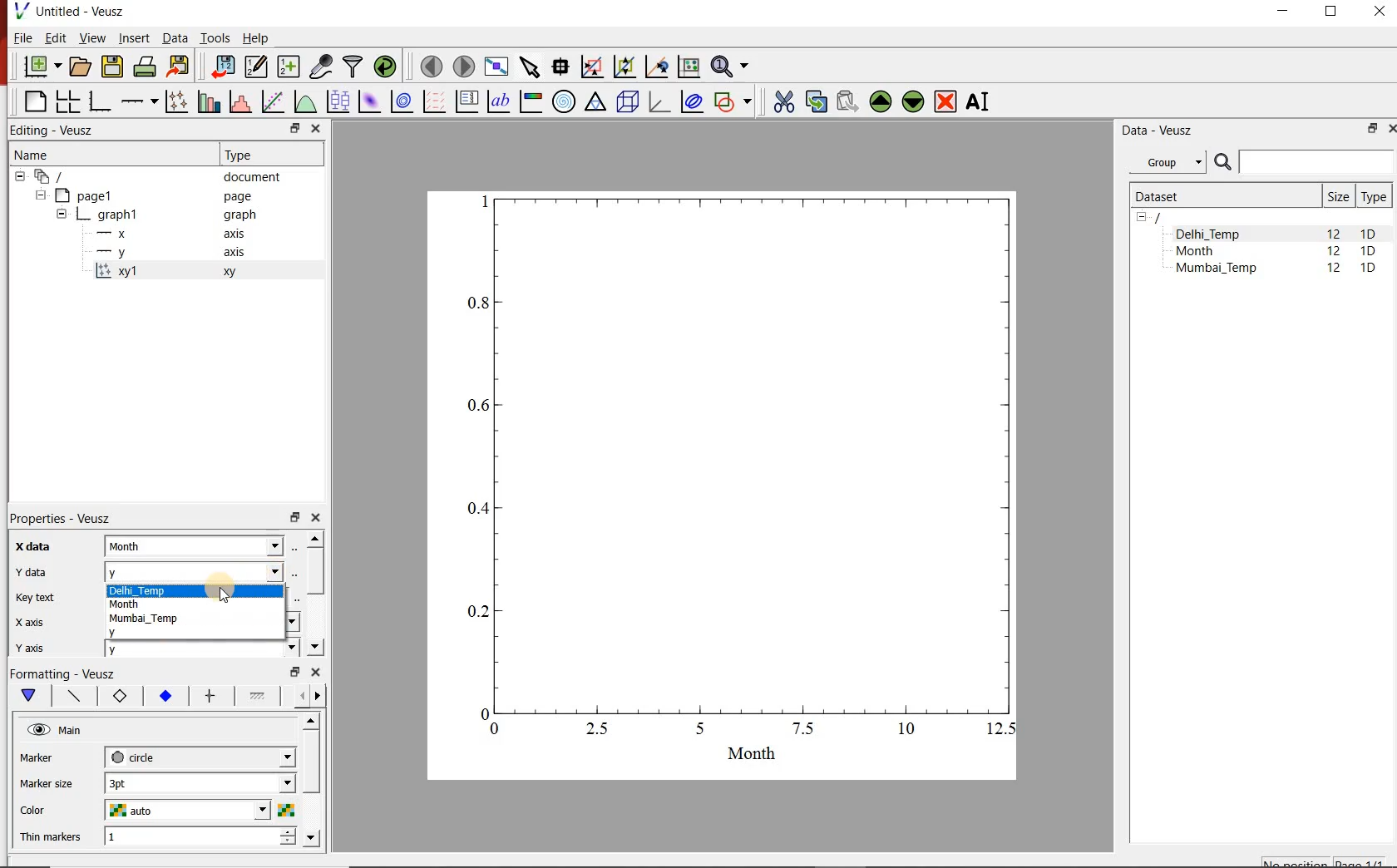  Describe the element at coordinates (371, 101) in the screenshot. I see `plot a 2d dataset as an image` at that location.